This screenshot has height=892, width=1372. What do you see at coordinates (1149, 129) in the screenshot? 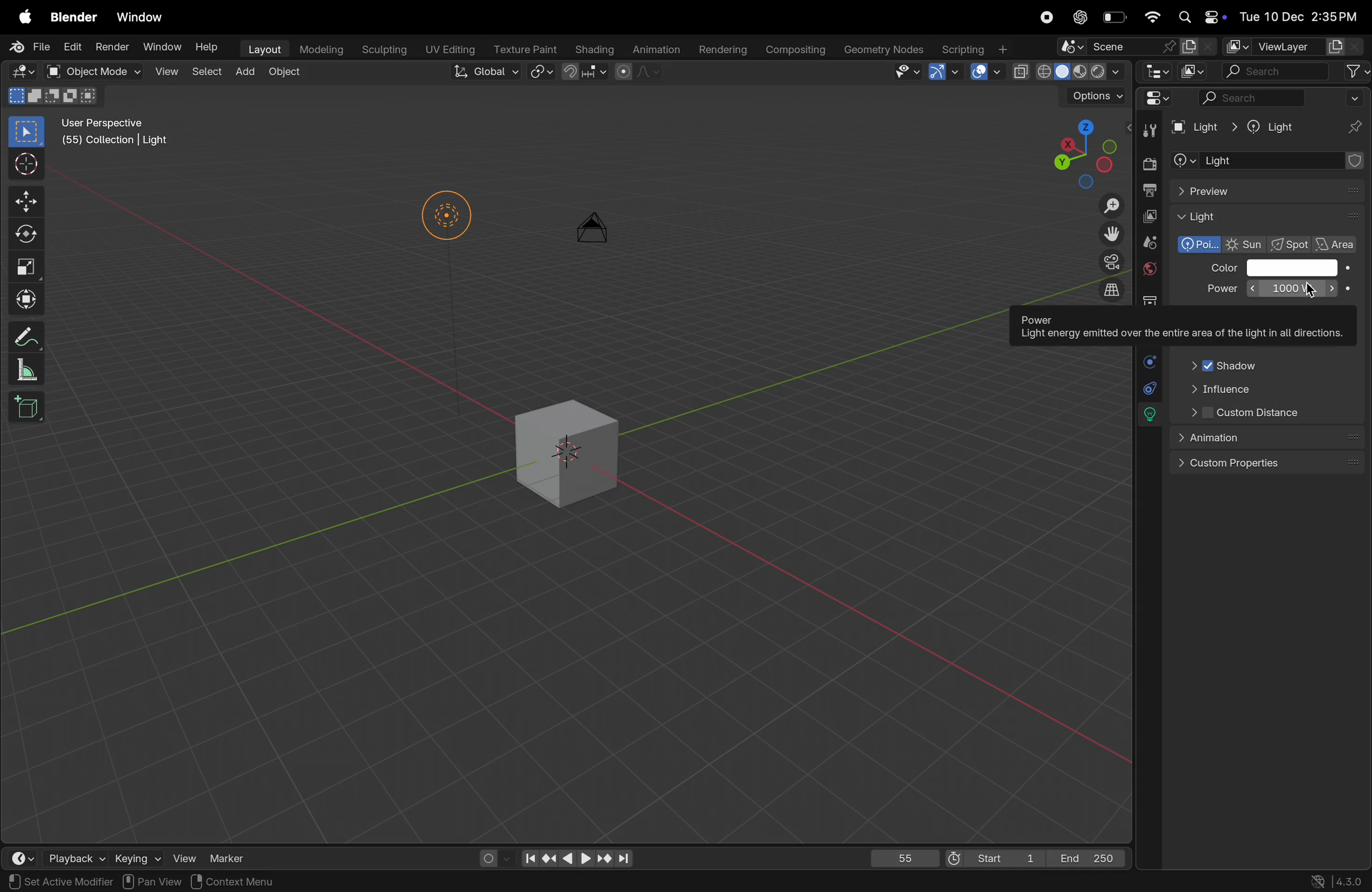
I see `tools` at bounding box center [1149, 129].